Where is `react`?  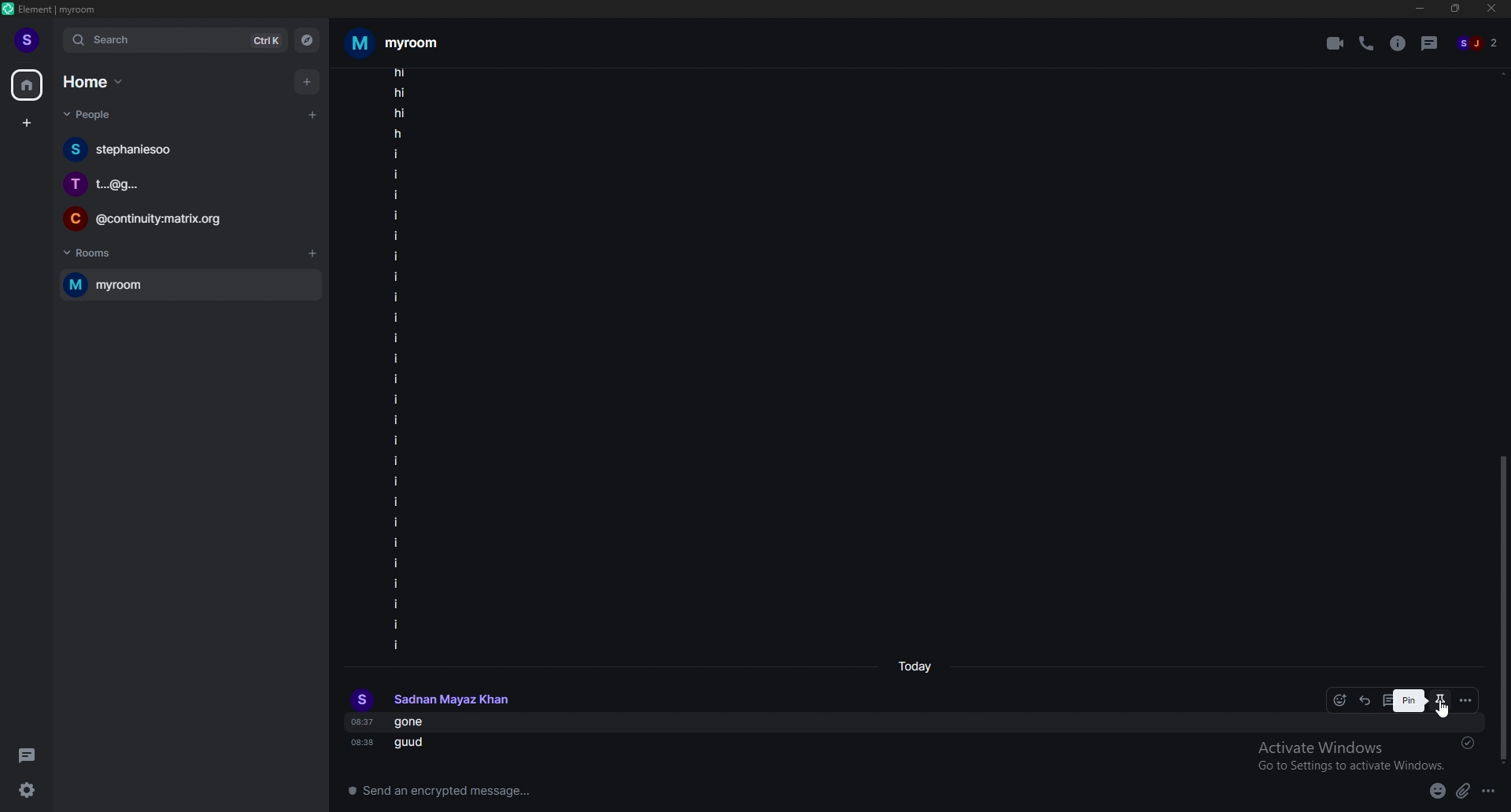 react is located at coordinates (1343, 700).